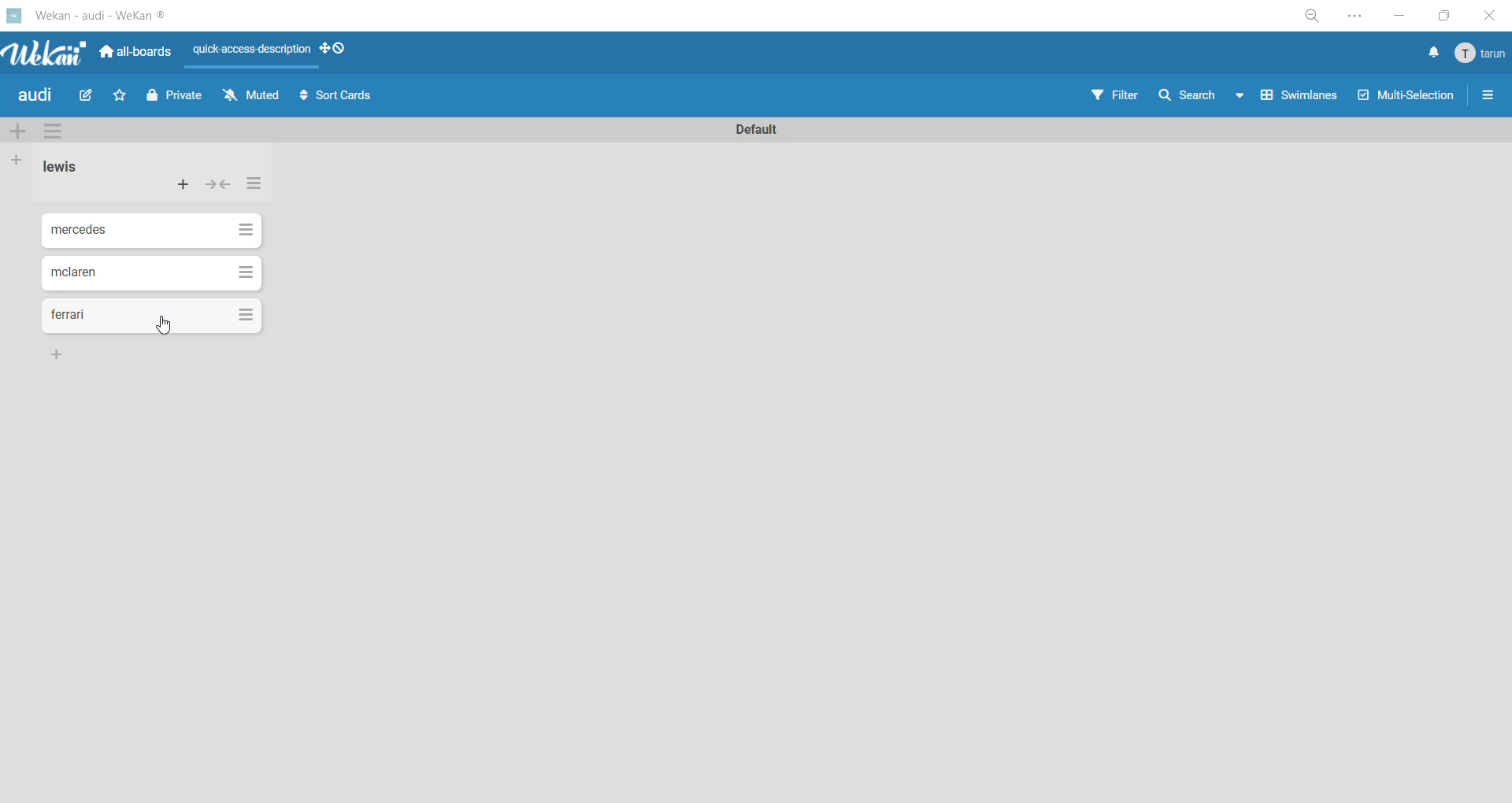  I want to click on add card, so click(180, 183).